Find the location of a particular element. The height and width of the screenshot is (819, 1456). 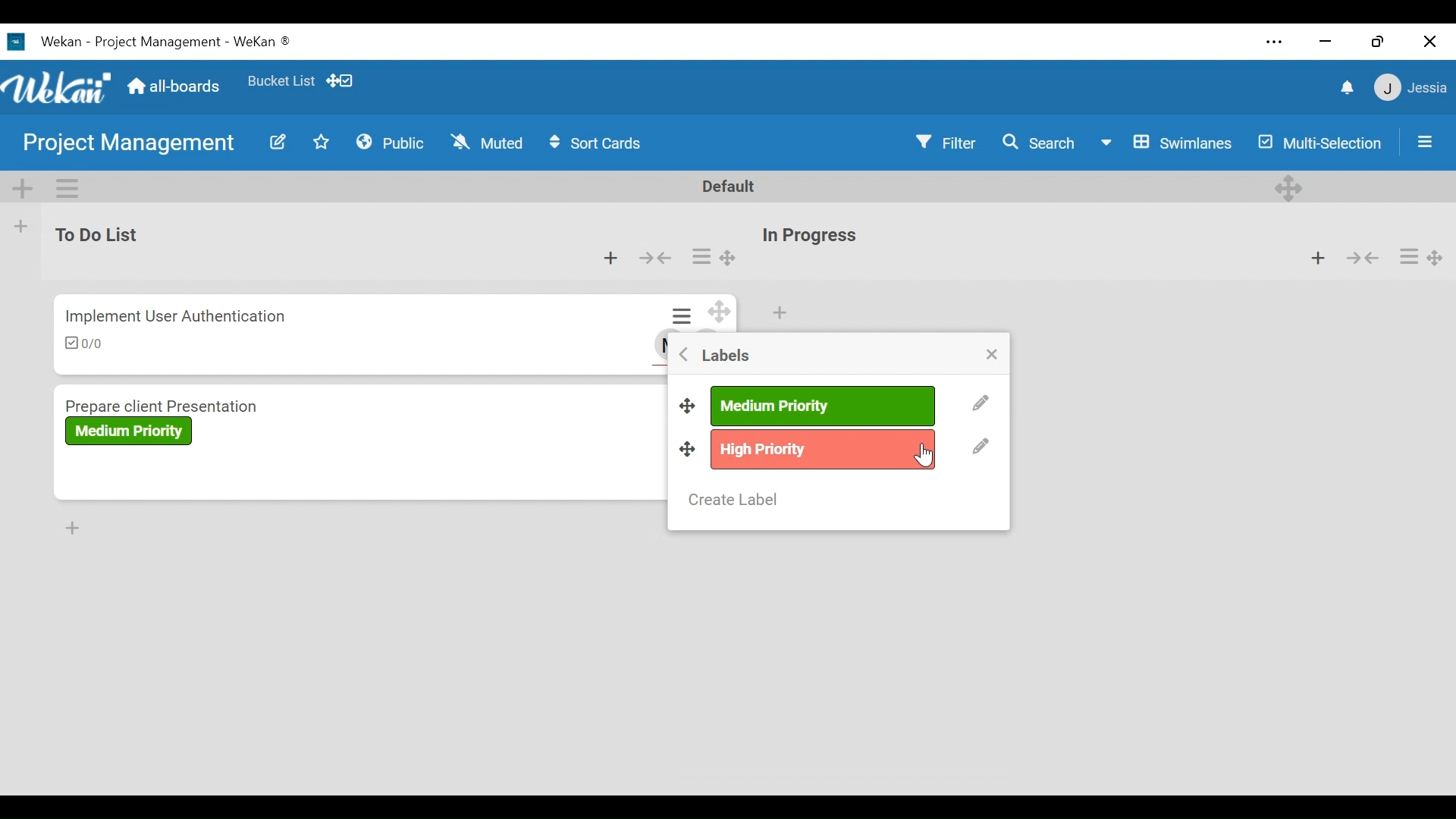

Edit is located at coordinates (981, 447).